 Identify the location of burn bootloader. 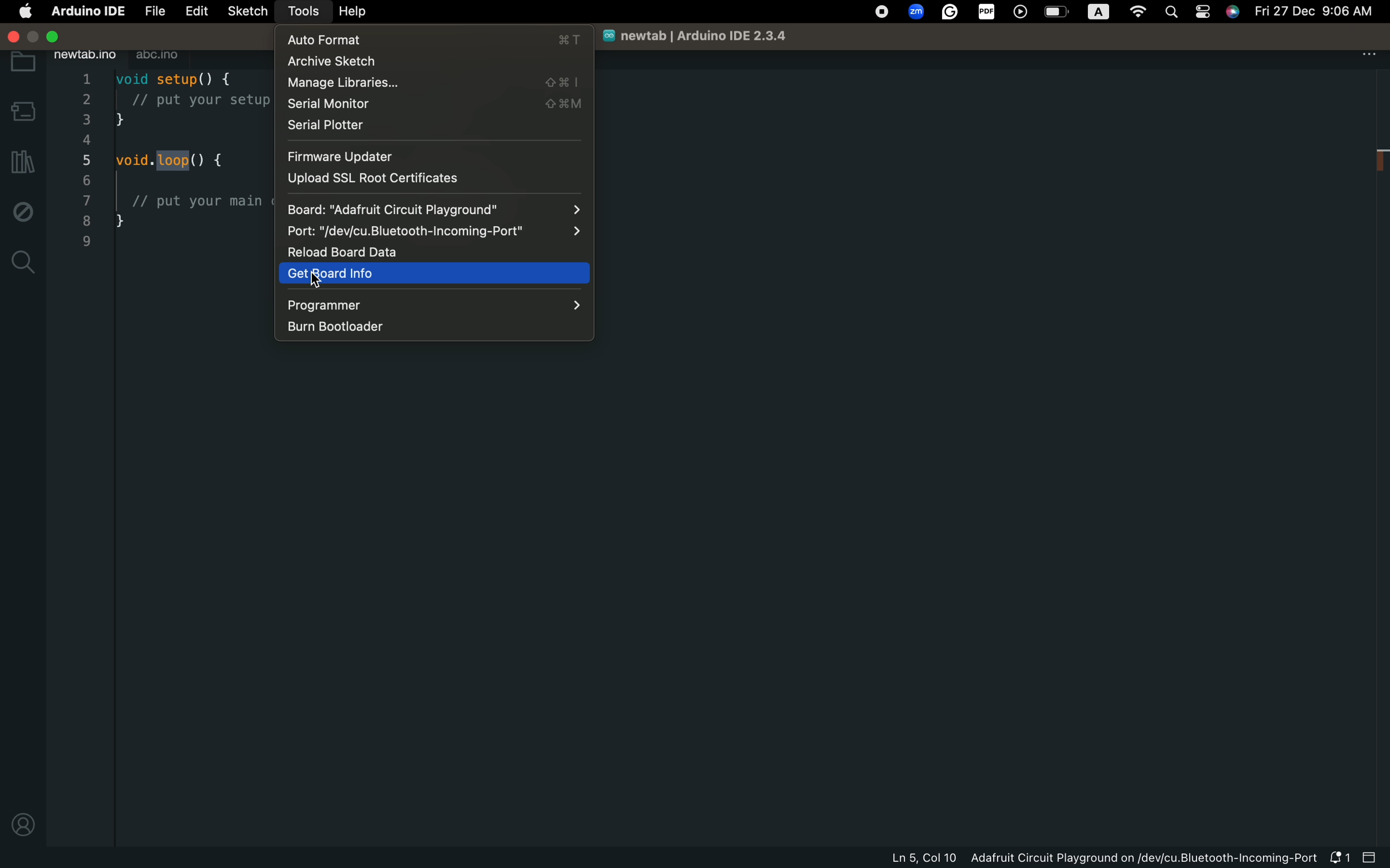
(373, 327).